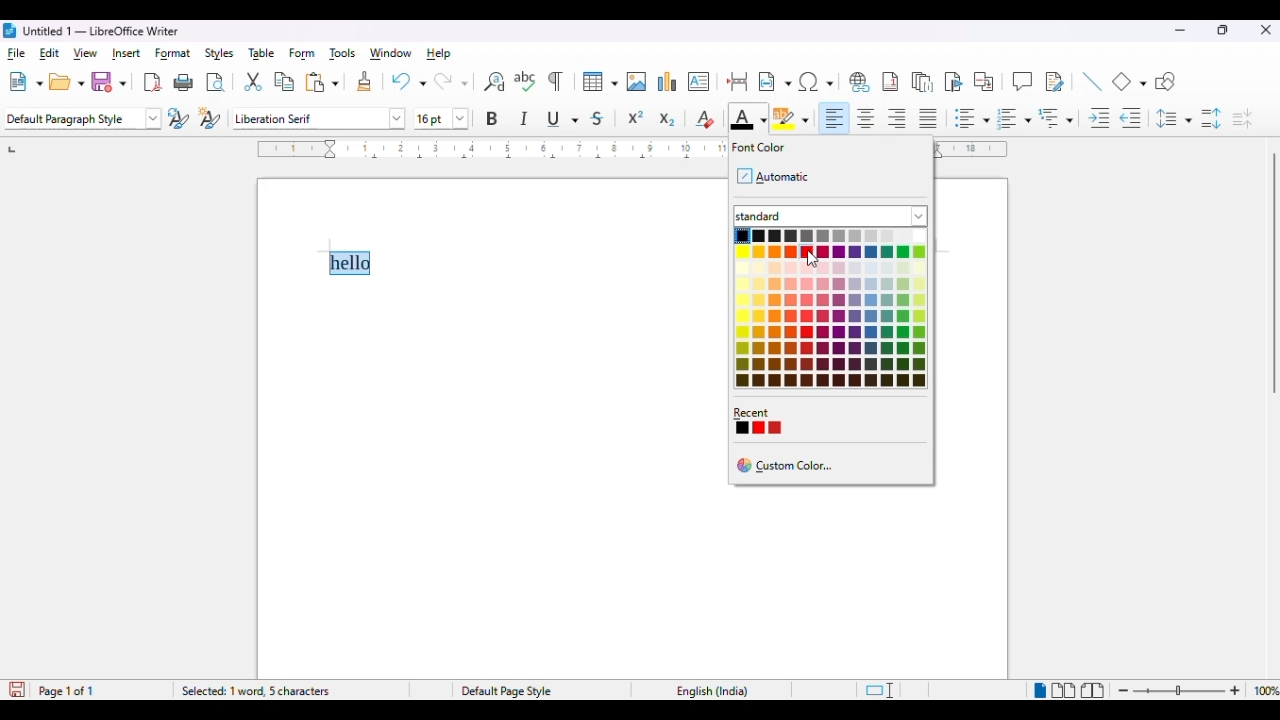  I want to click on multi-page view, so click(1064, 690).